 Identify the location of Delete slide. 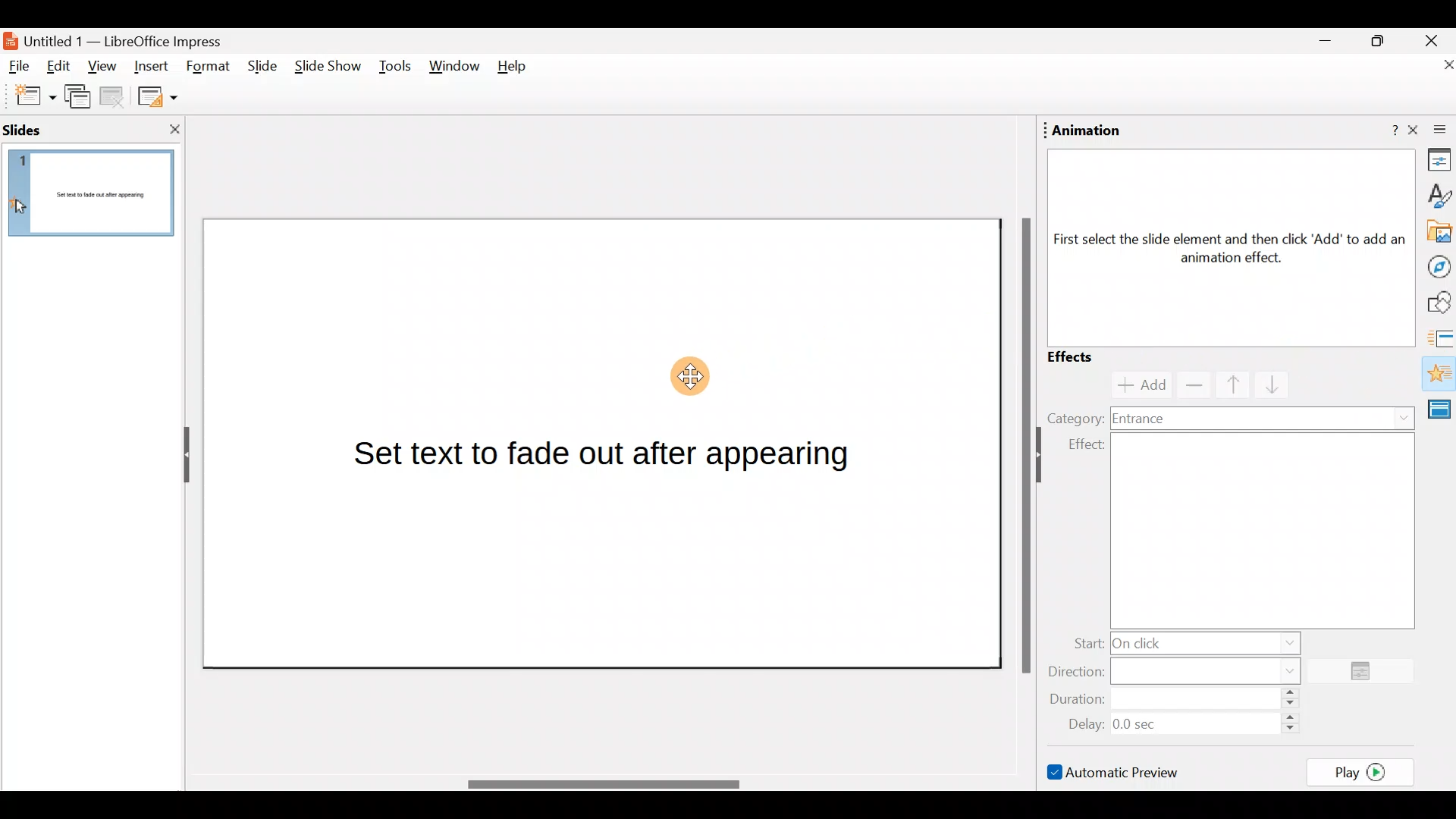
(115, 99).